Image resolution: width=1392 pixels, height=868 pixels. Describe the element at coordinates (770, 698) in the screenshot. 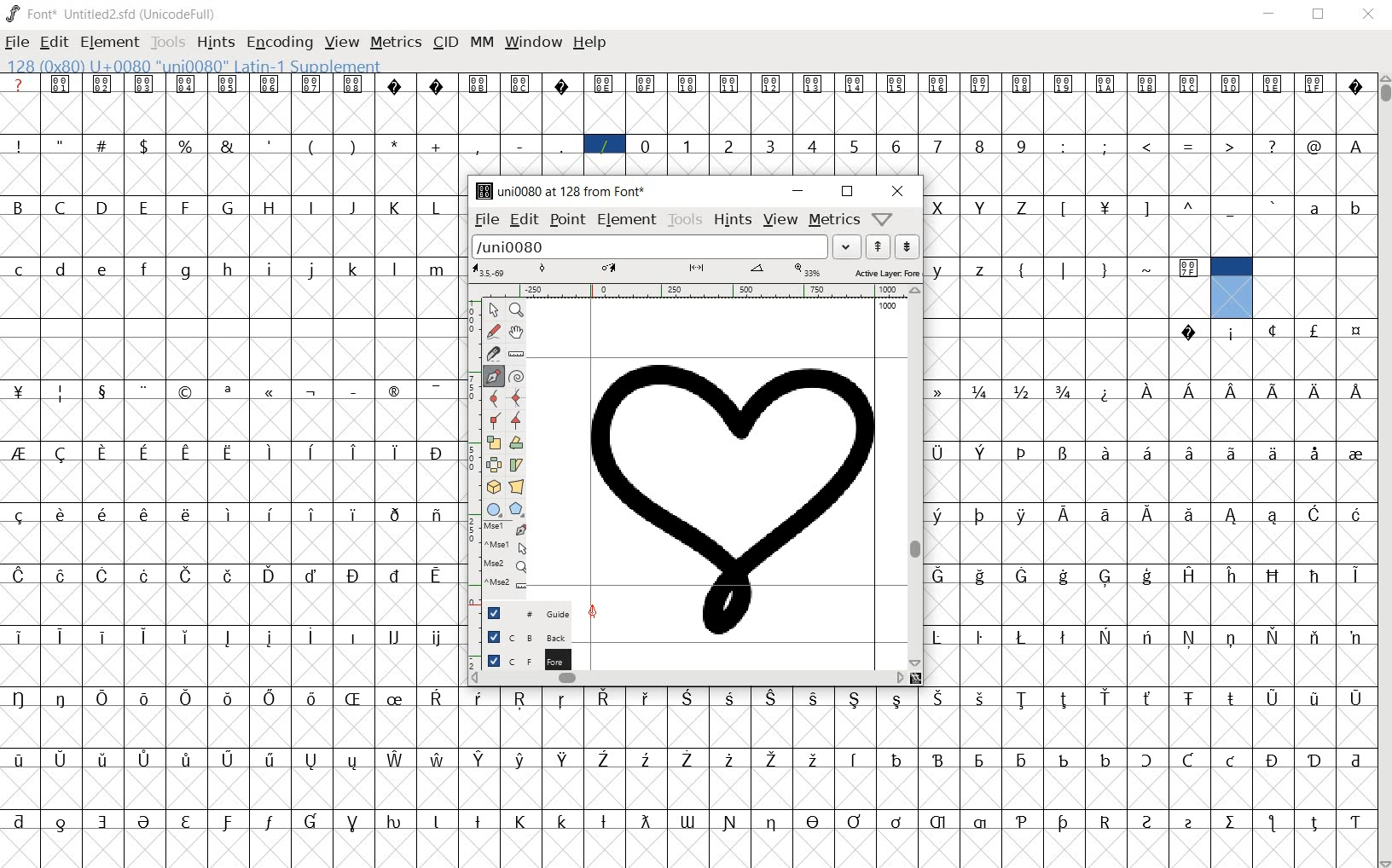

I see `glyph` at that location.